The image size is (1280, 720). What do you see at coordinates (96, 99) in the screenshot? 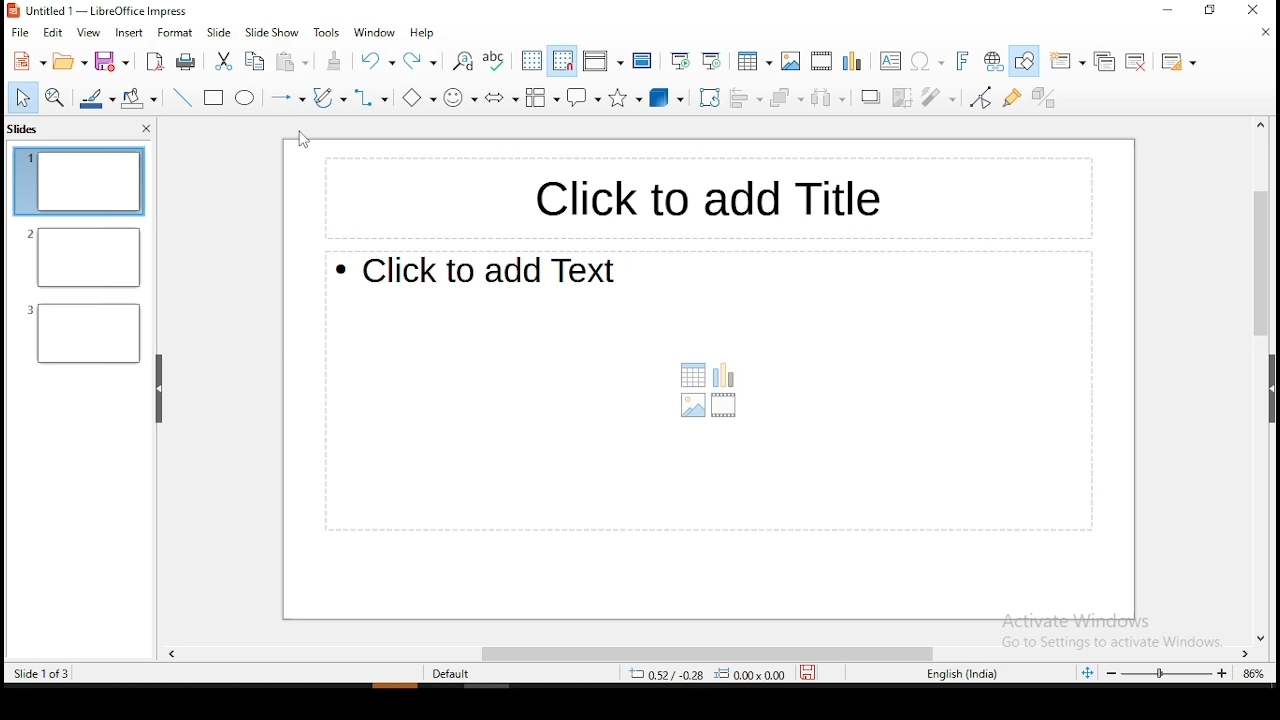
I see `line color` at bounding box center [96, 99].